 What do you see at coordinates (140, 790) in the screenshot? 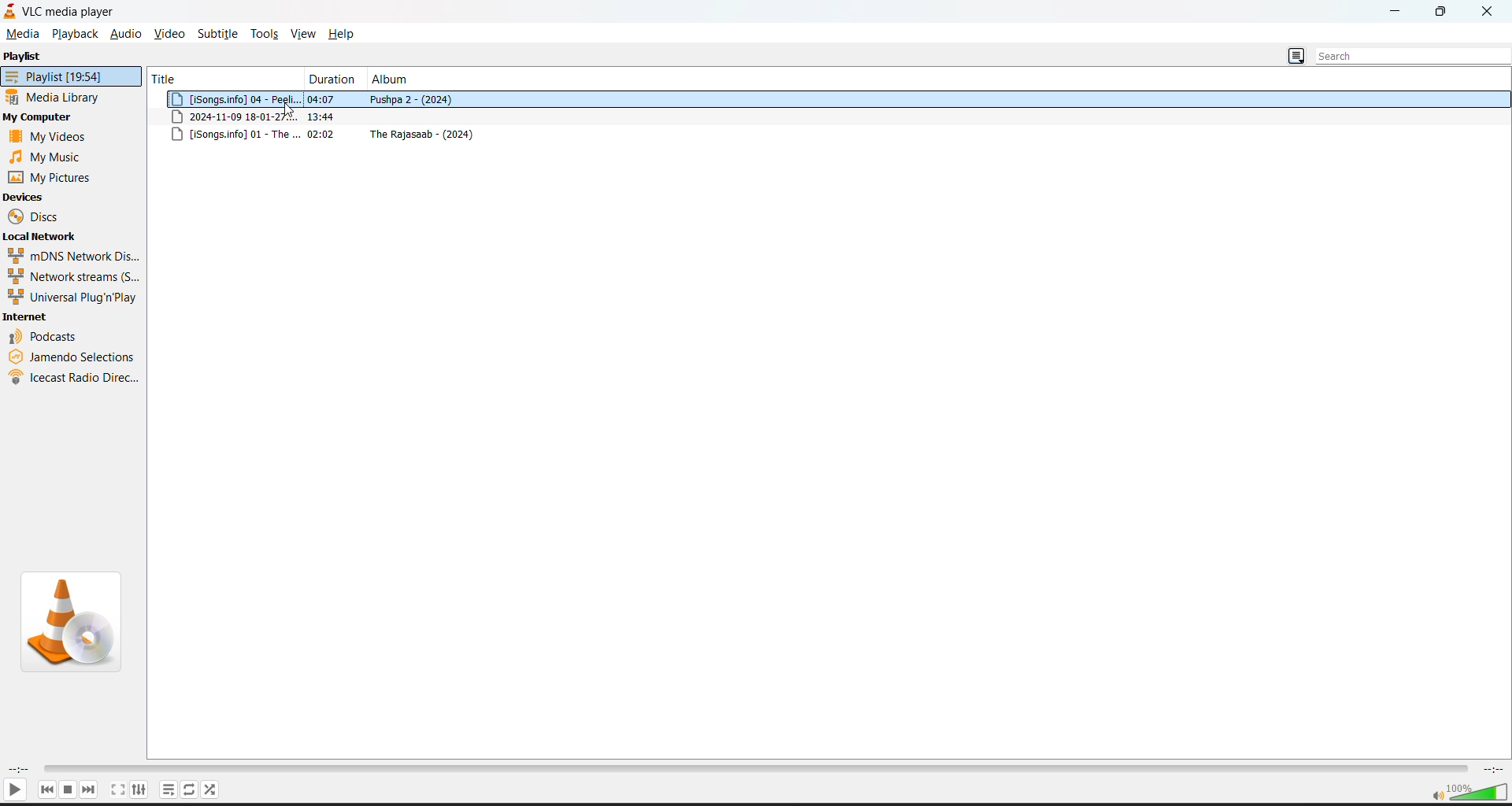
I see `settings` at bounding box center [140, 790].